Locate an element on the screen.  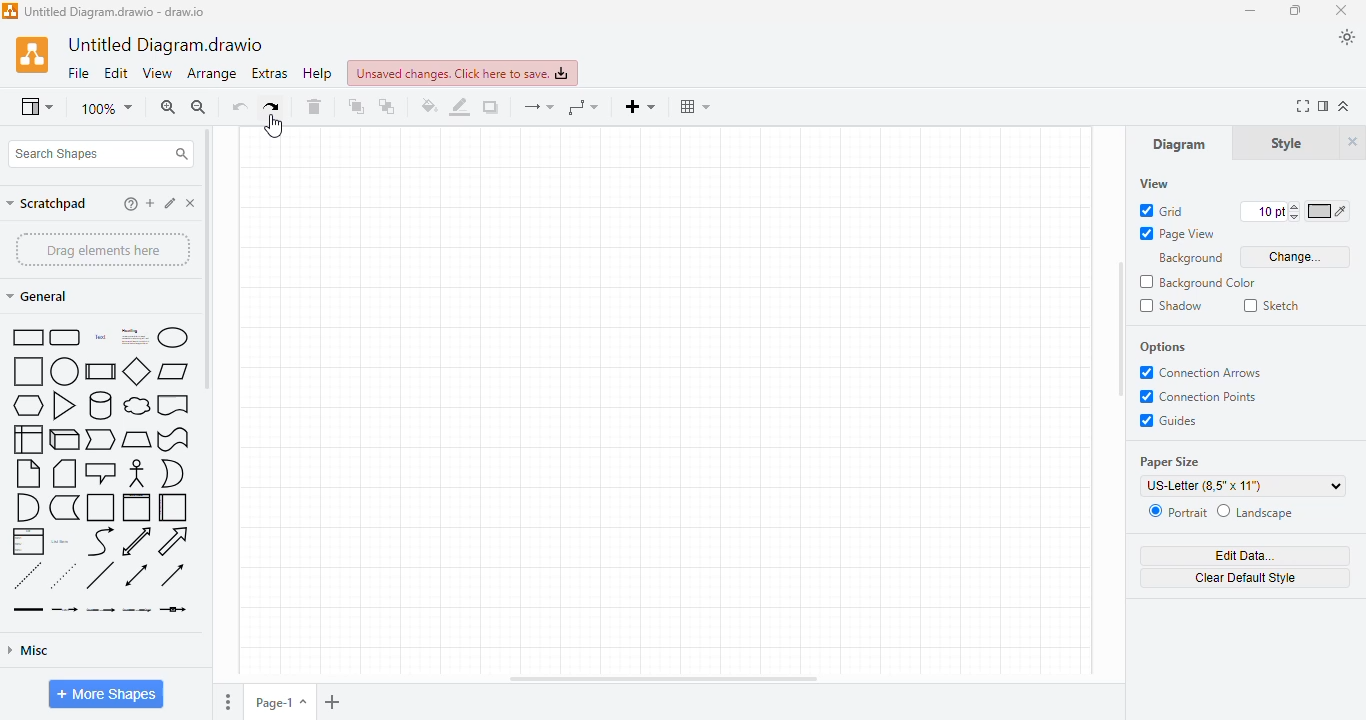
logo is located at coordinates (32, 55).